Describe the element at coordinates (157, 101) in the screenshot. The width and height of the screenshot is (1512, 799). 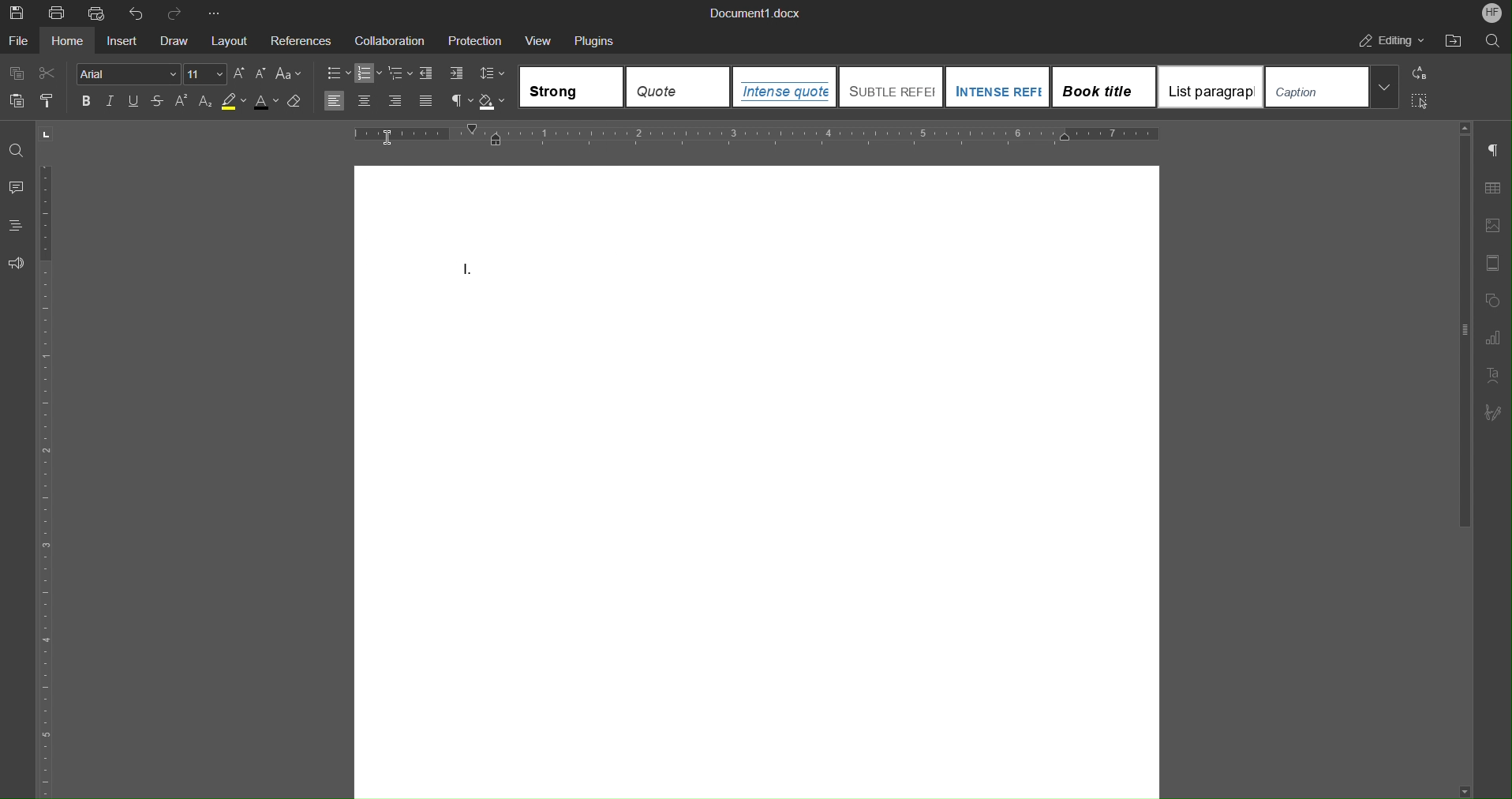
I see `Strikethrough` at that location.